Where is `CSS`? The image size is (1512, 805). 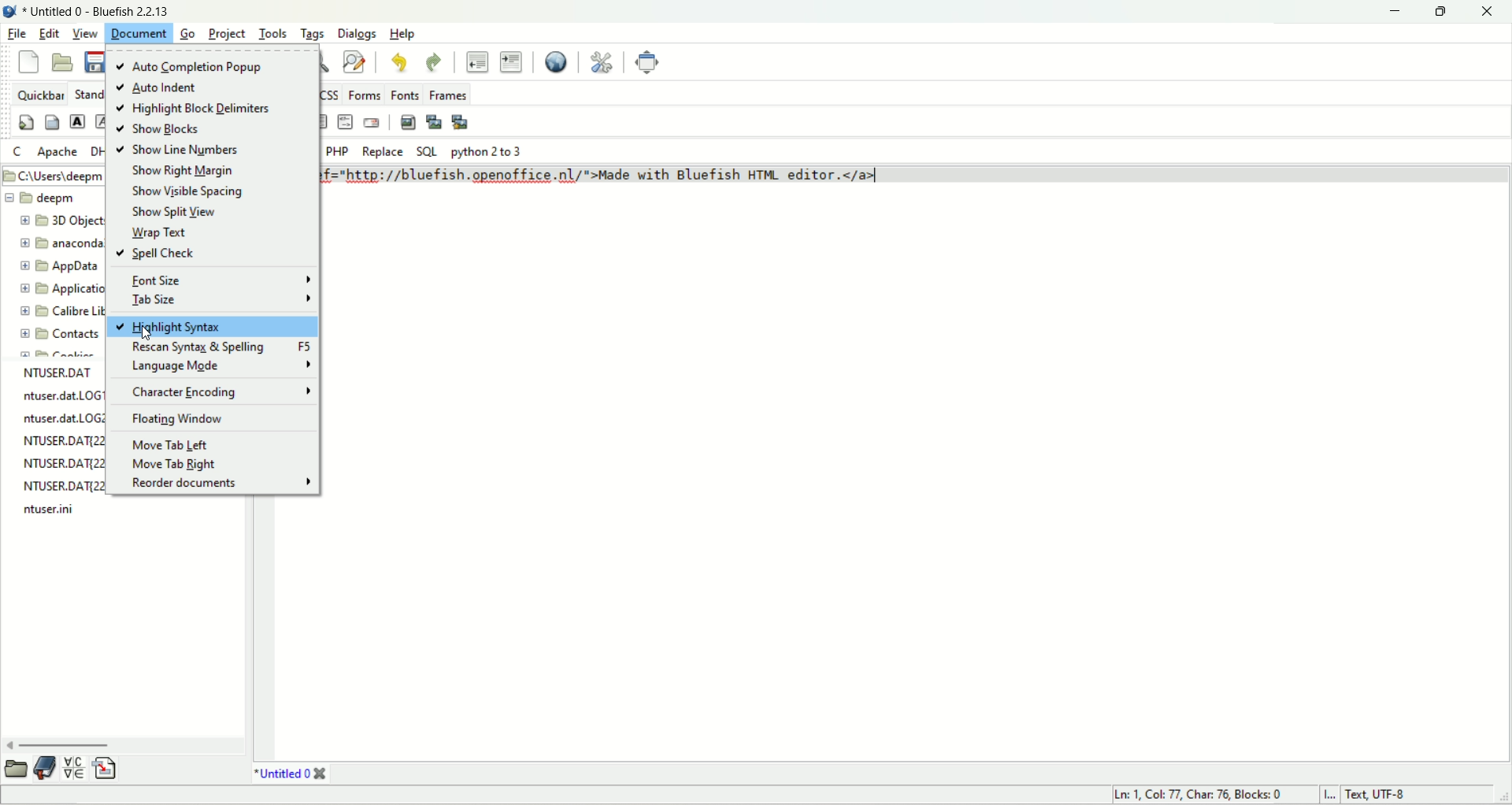
CSS is located at coordinates (328, 95).